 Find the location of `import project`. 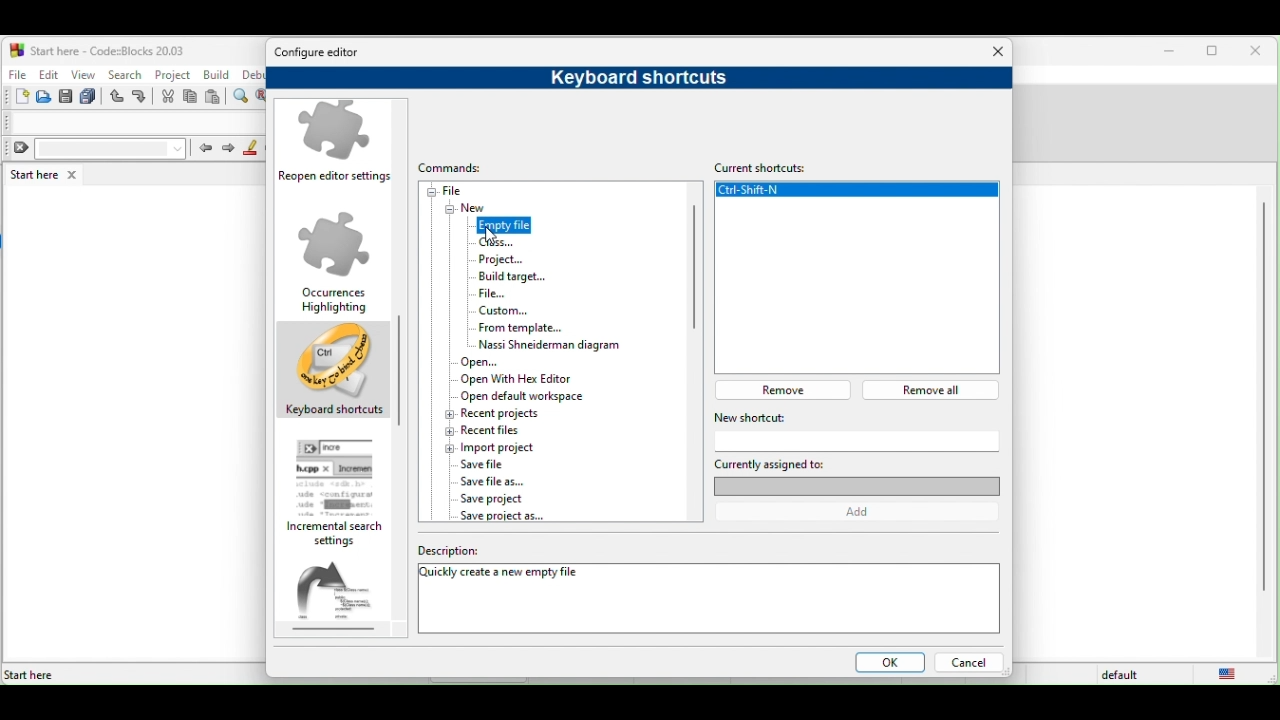

import project is located at coordinates (497, 447).